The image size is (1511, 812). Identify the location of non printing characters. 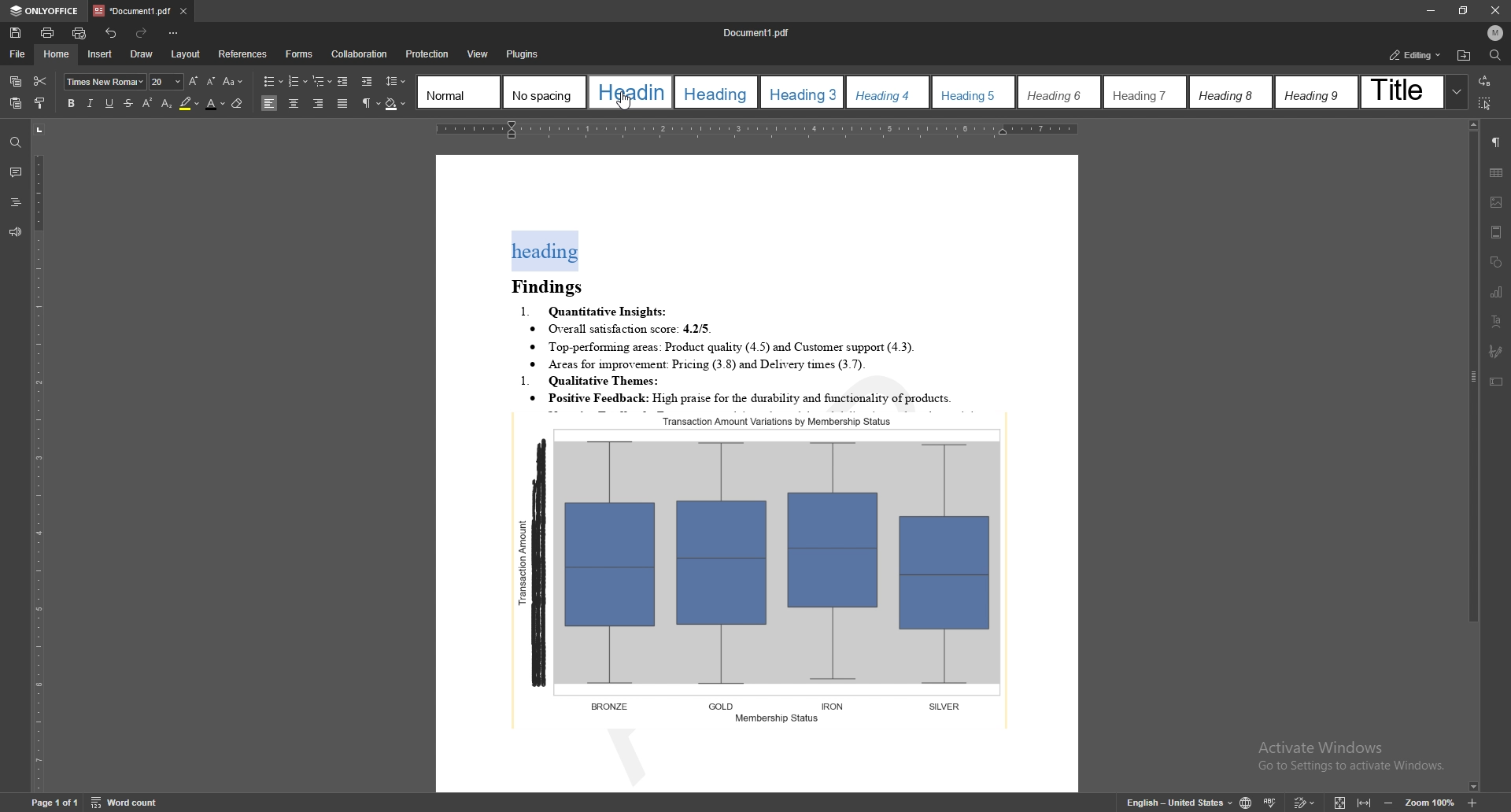
(371, 104).